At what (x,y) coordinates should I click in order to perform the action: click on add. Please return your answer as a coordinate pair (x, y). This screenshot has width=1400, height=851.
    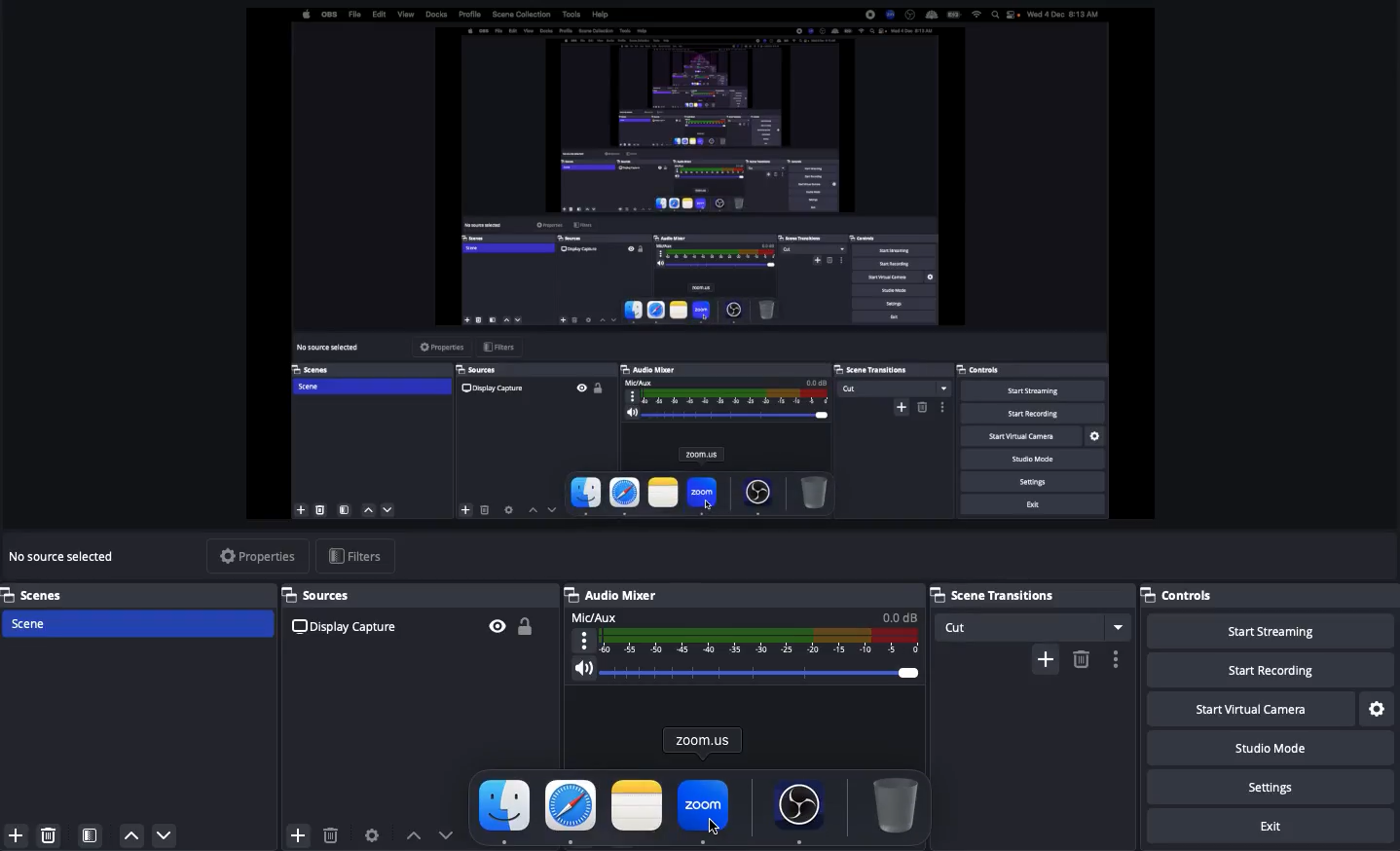
    Looking at the image, I should click on (1039, 657).